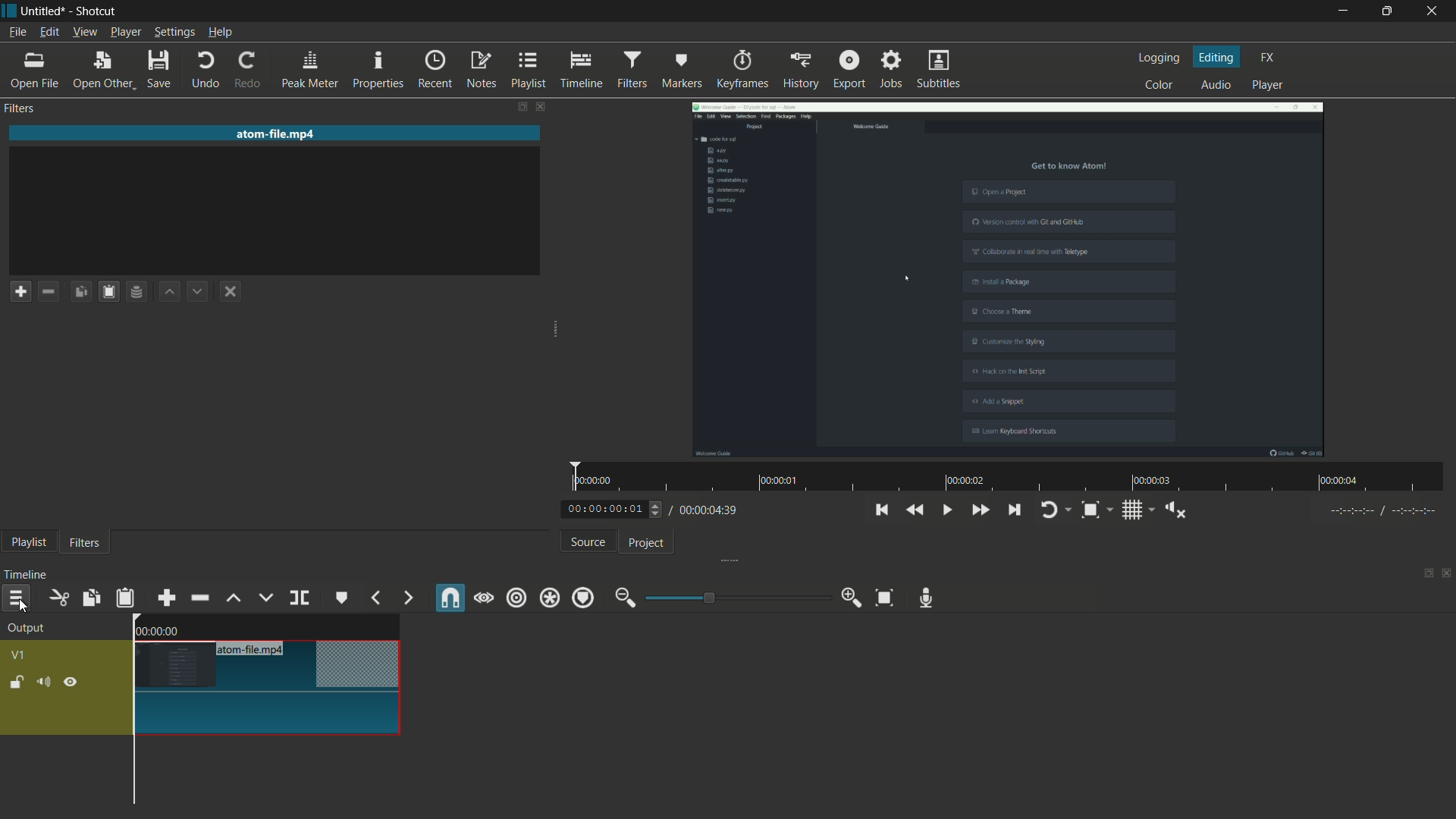 Image resolution: width=1456 pixels, height=819 pixels. What do you see at coordinates (884, 598) in the screenshot?
I see `zoom timeline to fit` at bounding box center [884, 598].